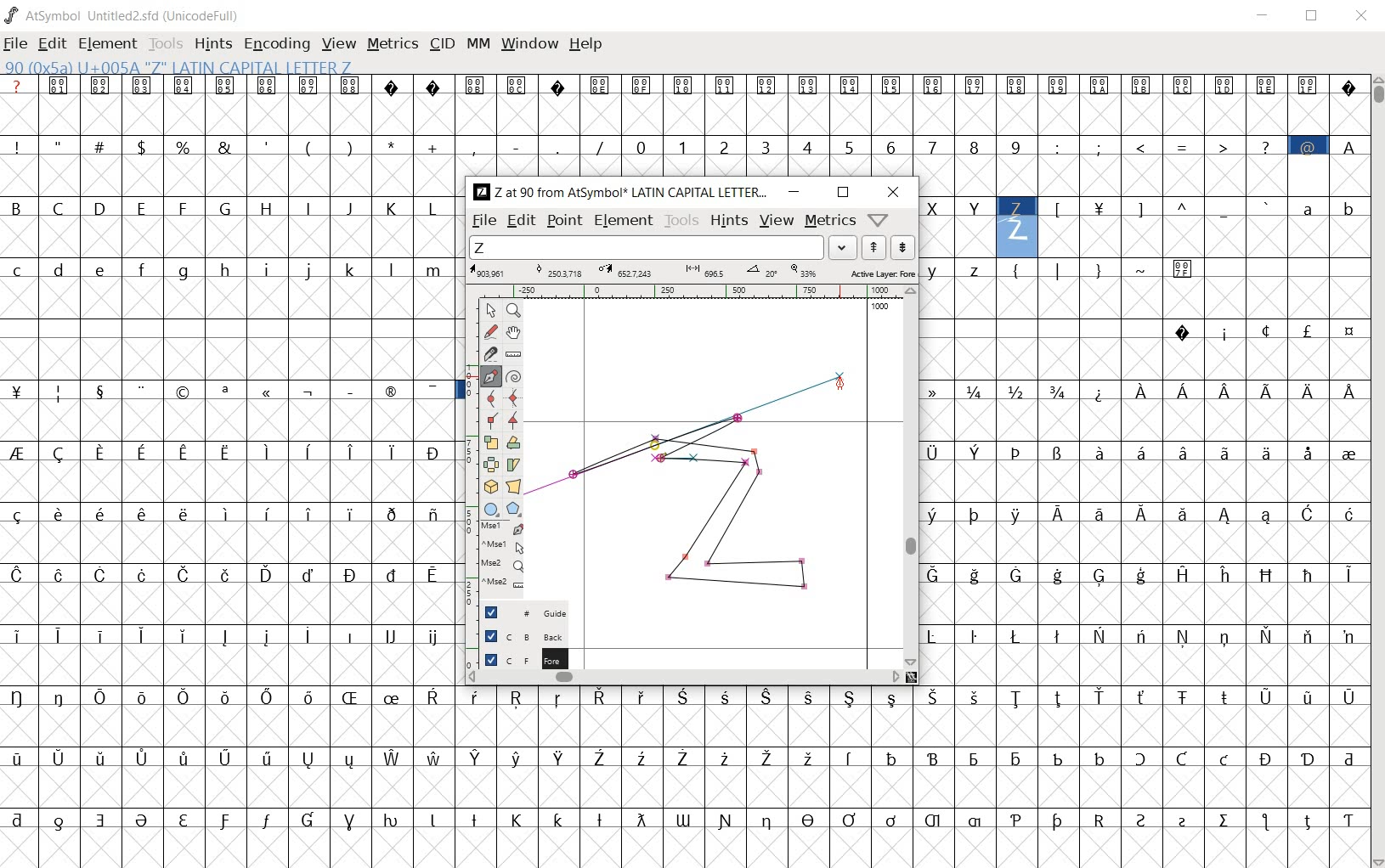 The image size is (1385, 868). I want to click on 90(0x5a) U+005A "Z" LATIN CAPITAL LETTER Z, so click(1017, 222).